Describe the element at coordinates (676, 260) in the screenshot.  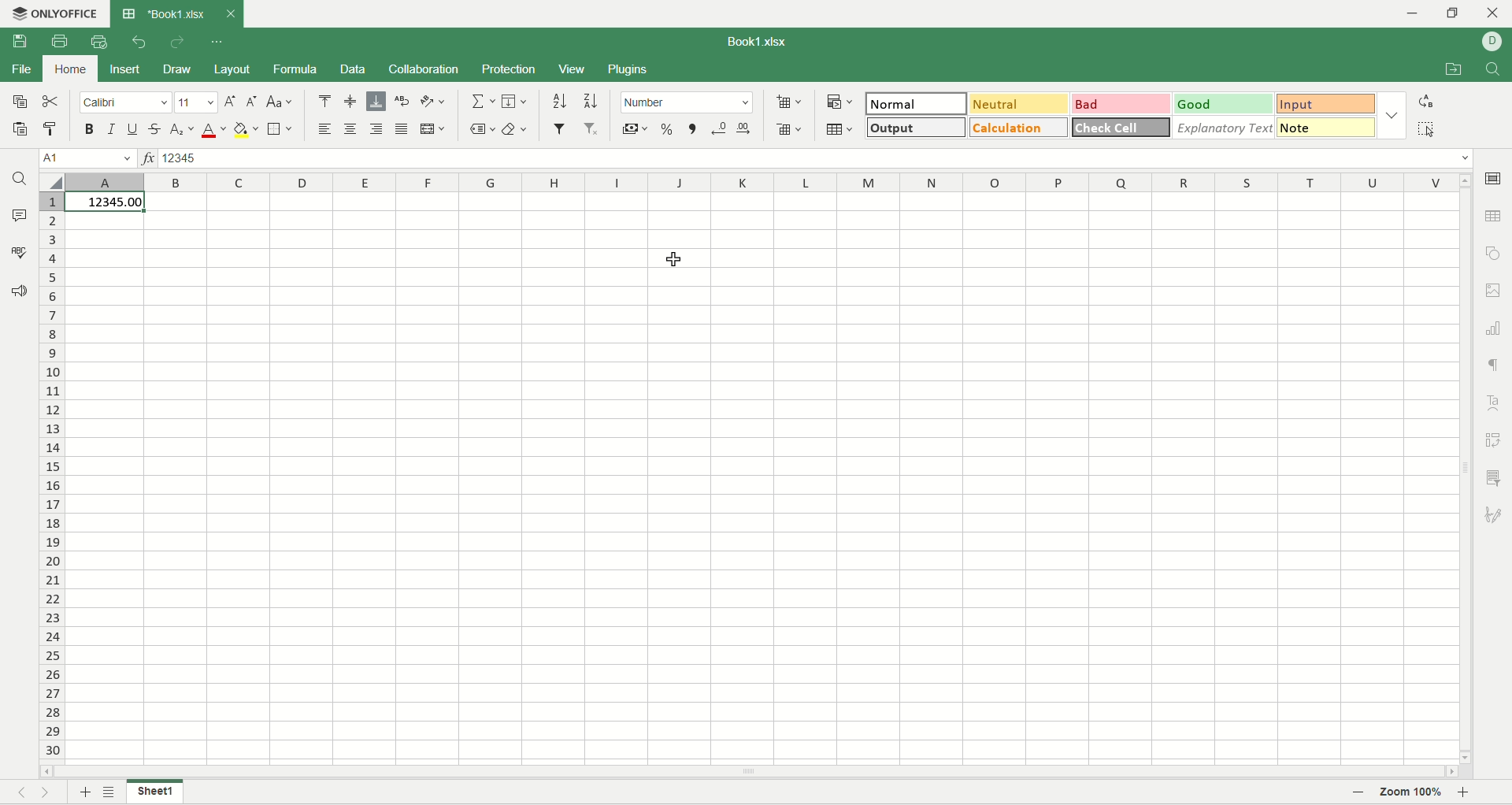
I see `cursor` at that location.